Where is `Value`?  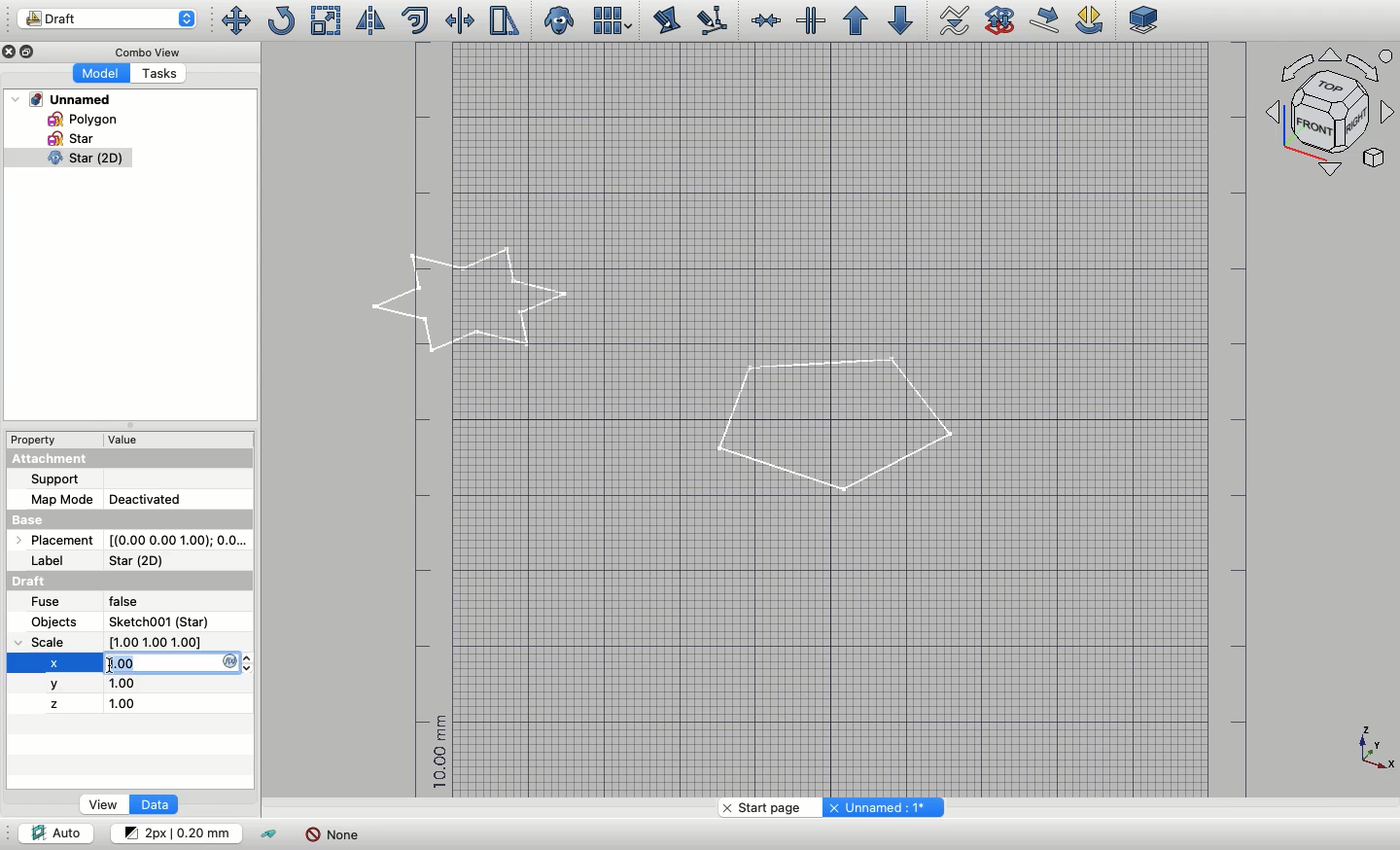 Value is located at coordinates (130, 440).